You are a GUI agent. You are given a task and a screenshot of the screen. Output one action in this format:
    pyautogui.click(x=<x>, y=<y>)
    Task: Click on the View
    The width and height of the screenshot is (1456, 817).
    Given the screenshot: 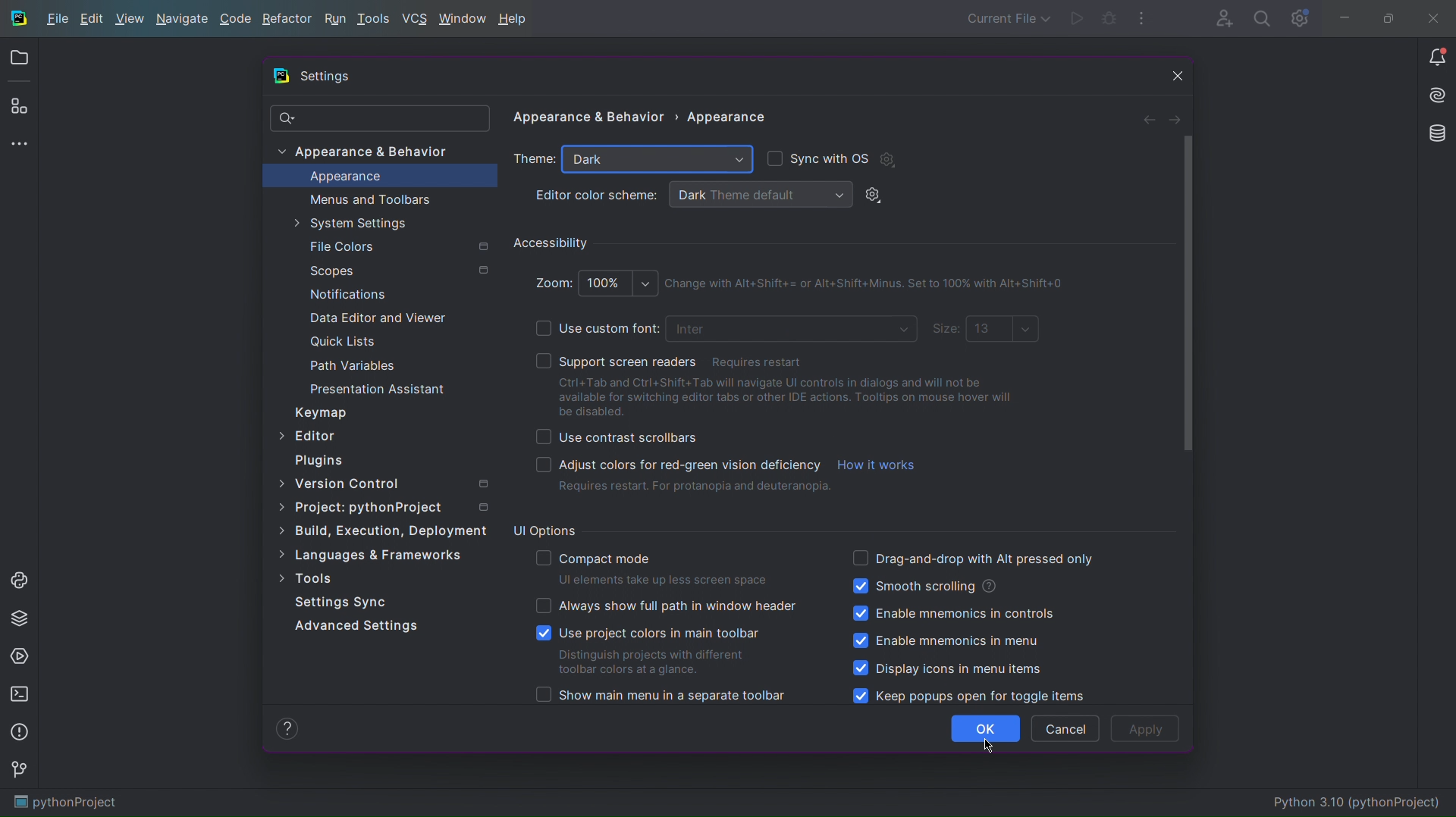 What is the action you would take?
    pyautogui.click(x=130, y=18)
    